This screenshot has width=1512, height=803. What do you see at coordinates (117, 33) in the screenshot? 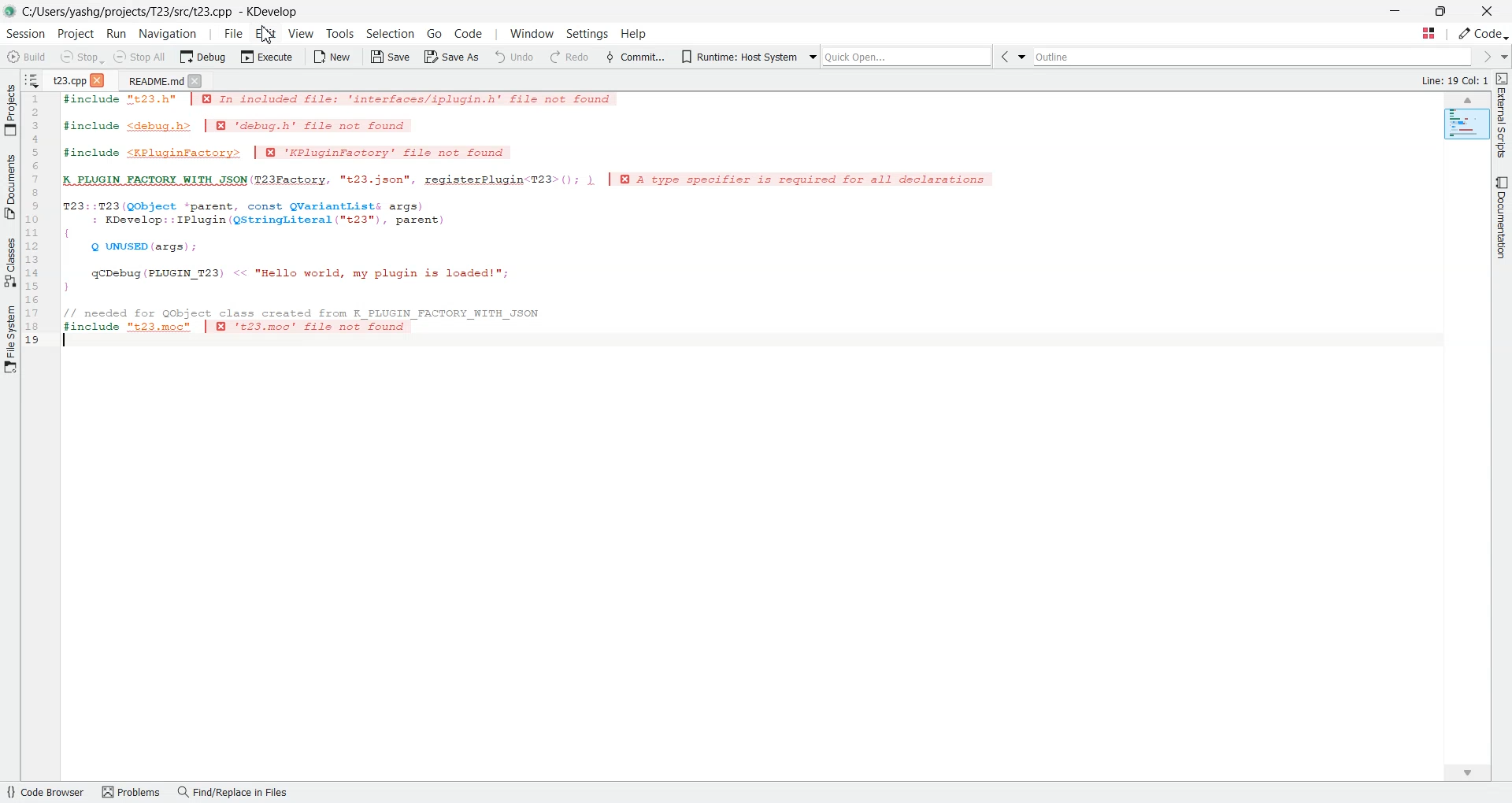
I see `Run` at bounding box center [117, 33].